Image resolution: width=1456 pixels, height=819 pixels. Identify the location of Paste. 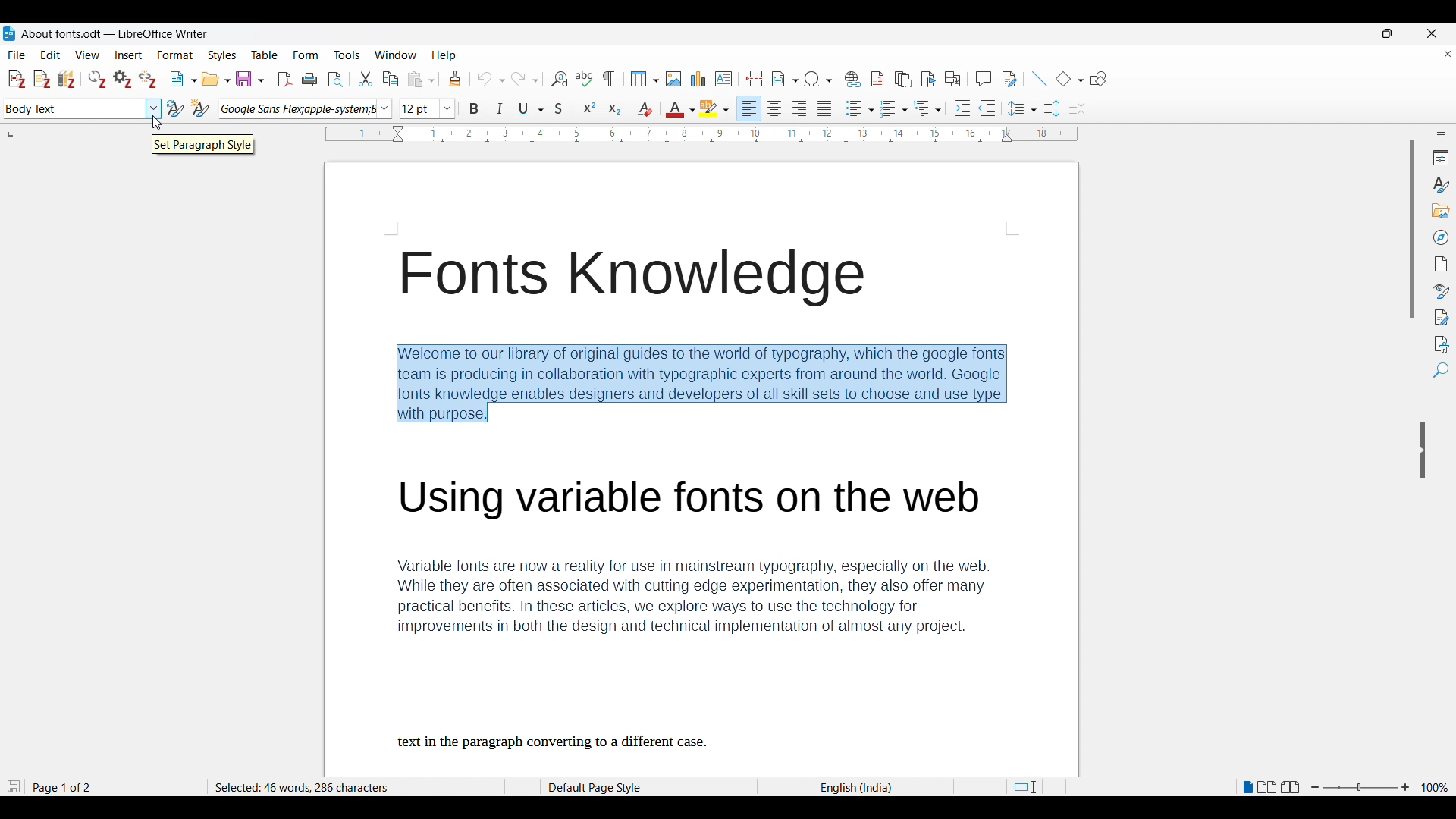
(421, 80).